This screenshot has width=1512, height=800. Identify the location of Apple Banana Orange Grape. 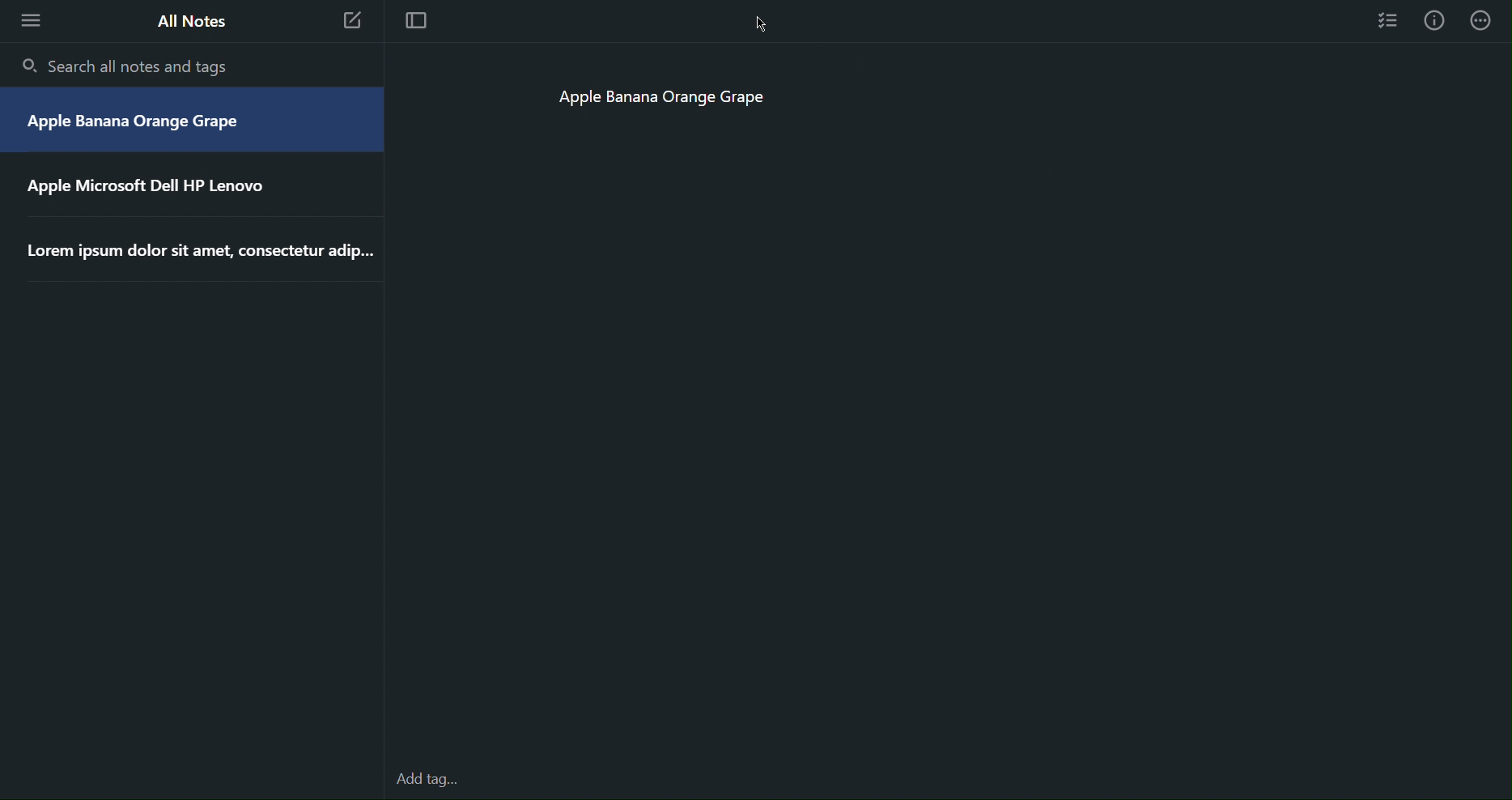
(140, 123).